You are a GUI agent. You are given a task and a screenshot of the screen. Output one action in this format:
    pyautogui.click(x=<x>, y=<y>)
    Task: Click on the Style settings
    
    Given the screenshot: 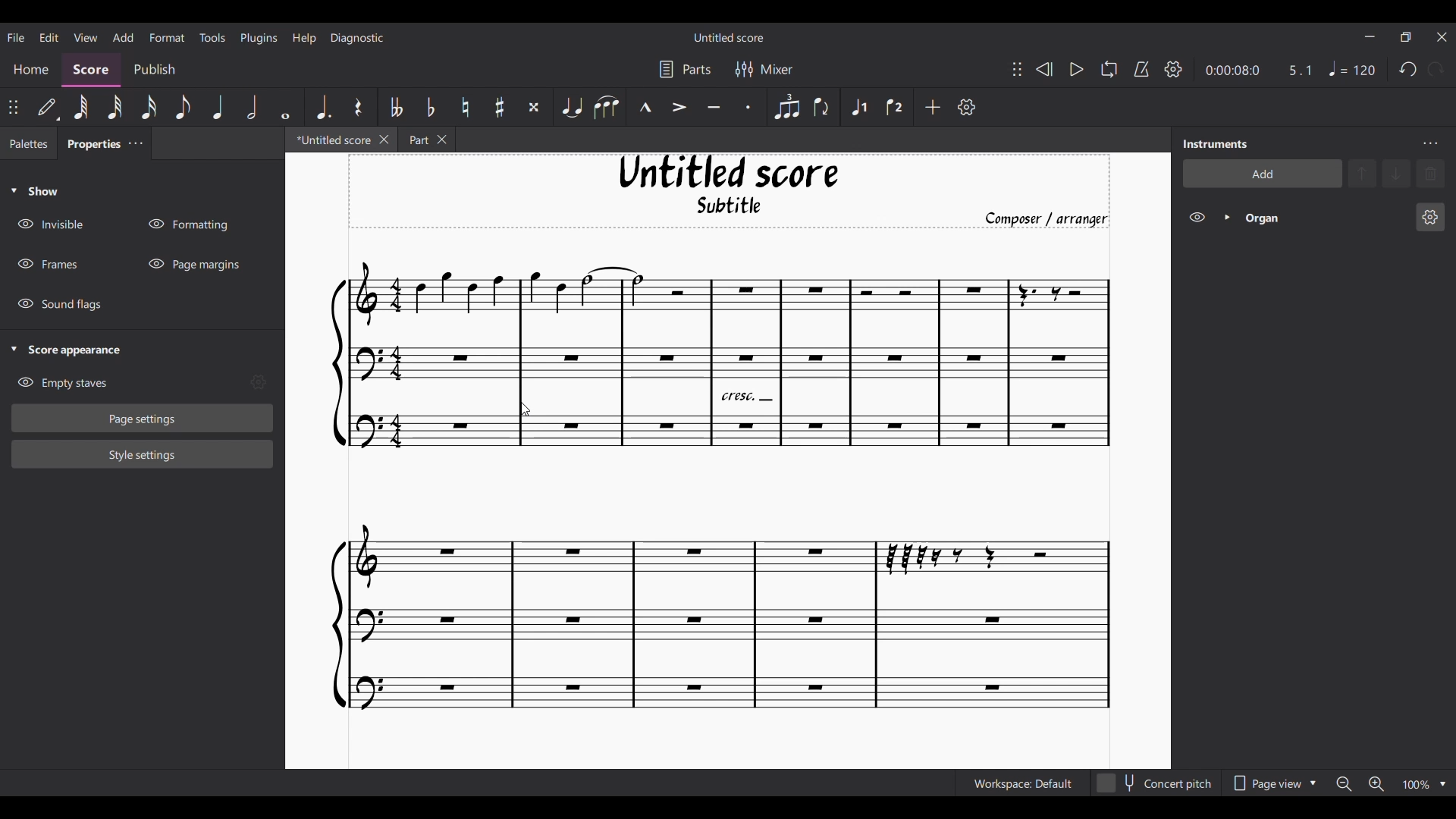 What is the action you would take?
    pyautogui.click(x=142, y=453)
    